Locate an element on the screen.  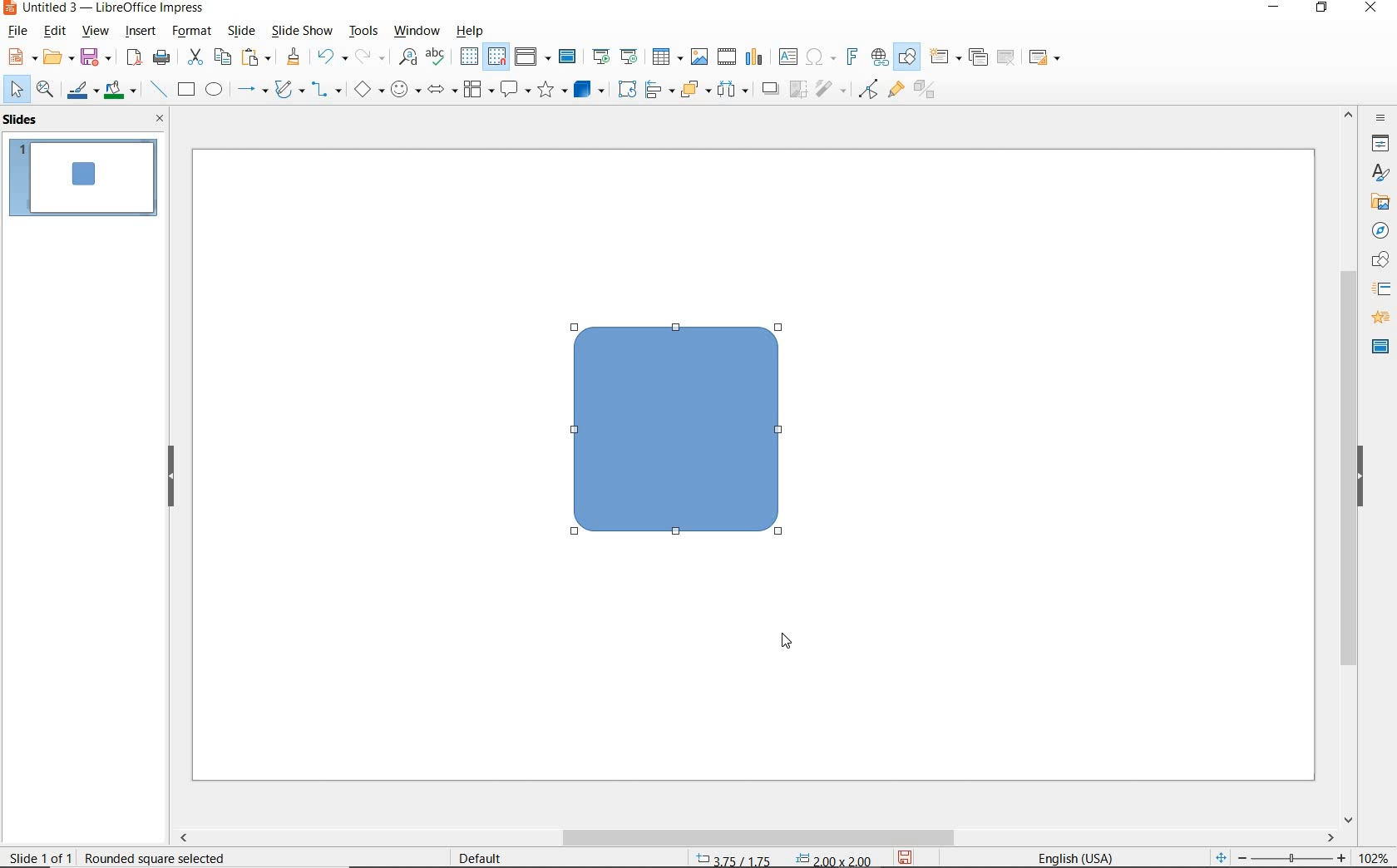
callout shapes is located at coordinates (516, 91).